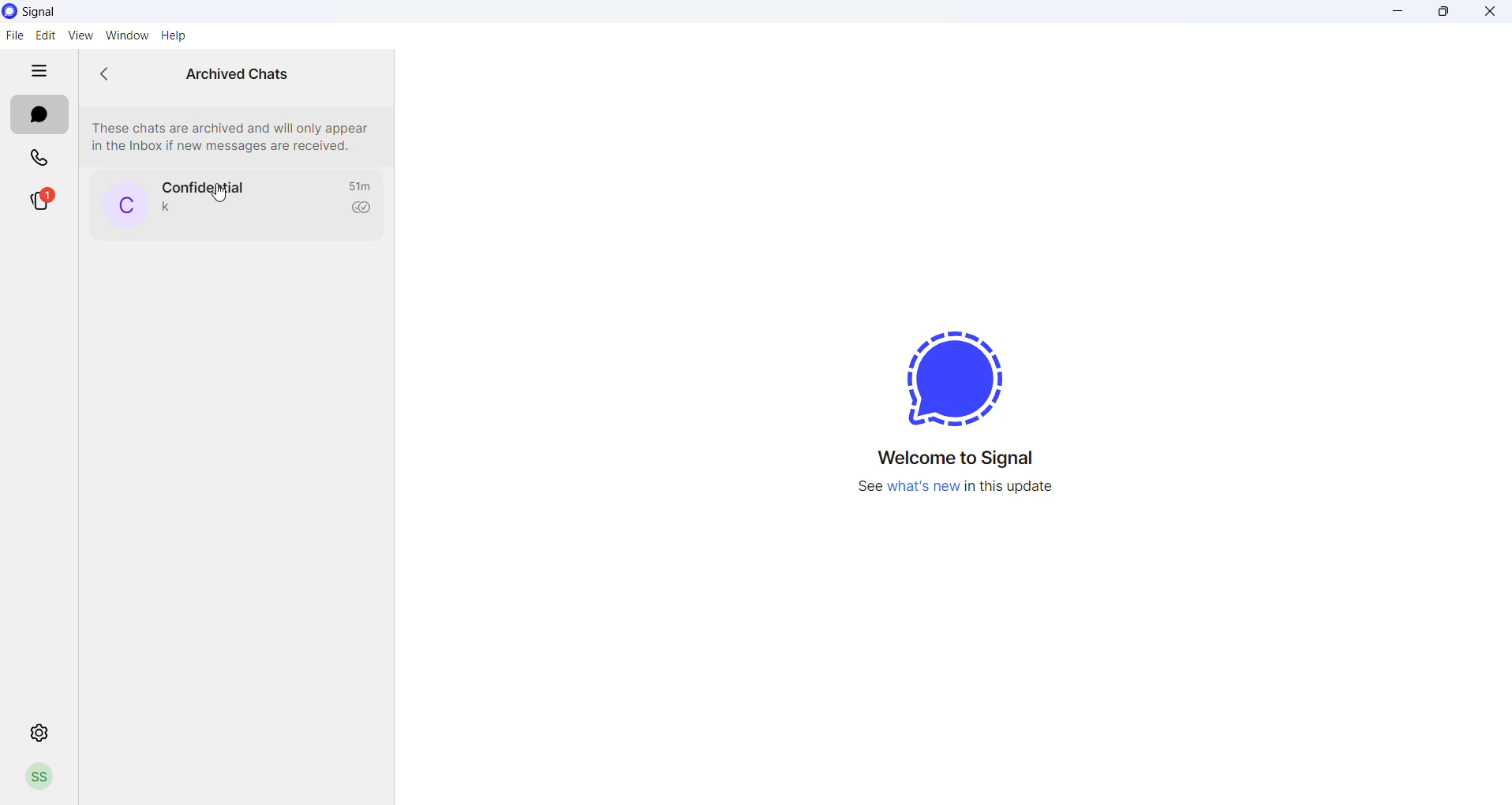 The height and width of the screenshot is (805, 1512). What do you see at coordinates (956, 458) in the screenshot?
I see `welcome message` at bounding box center [956, 458].